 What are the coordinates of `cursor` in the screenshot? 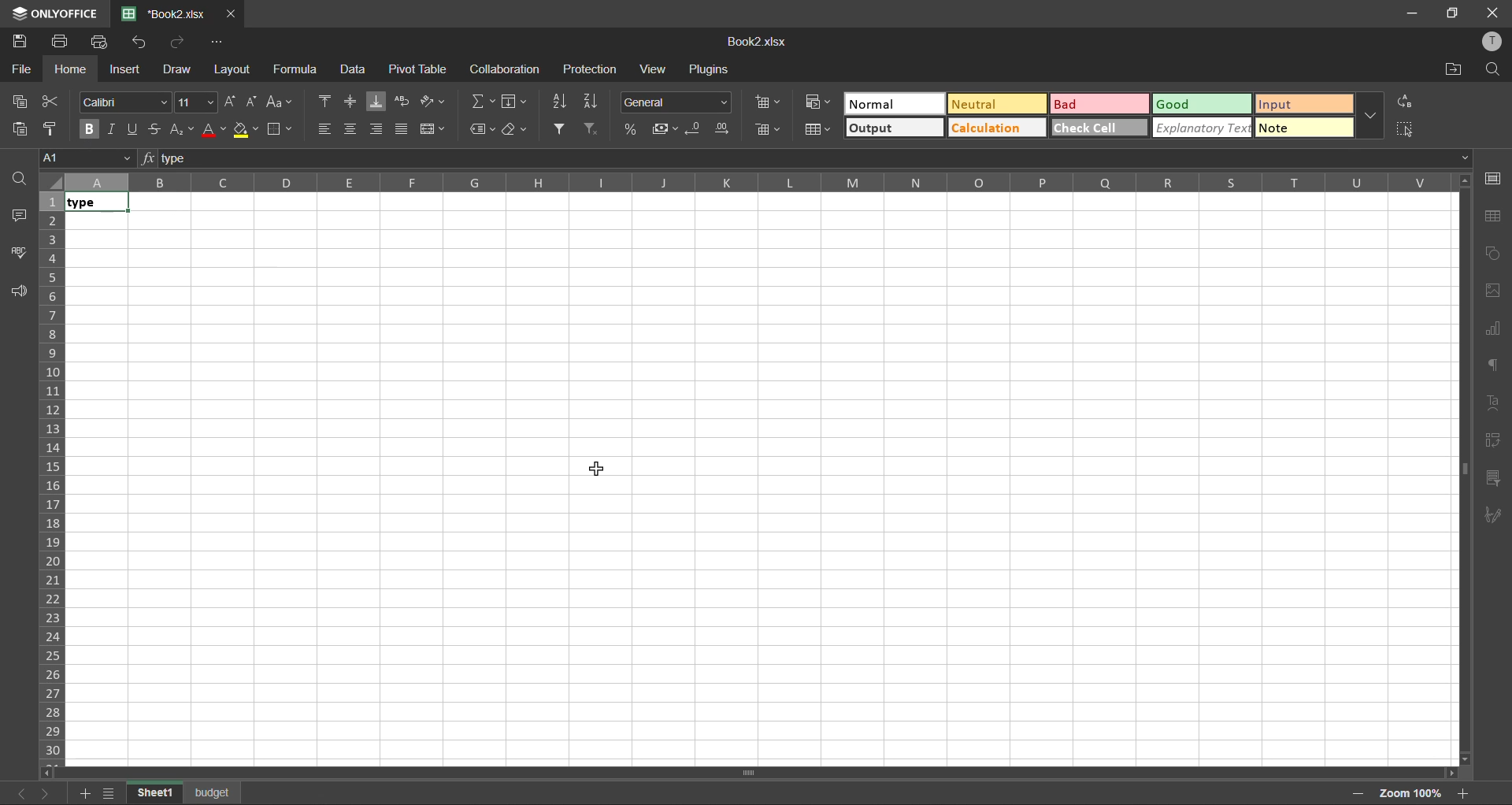 It's located at (593, 470).